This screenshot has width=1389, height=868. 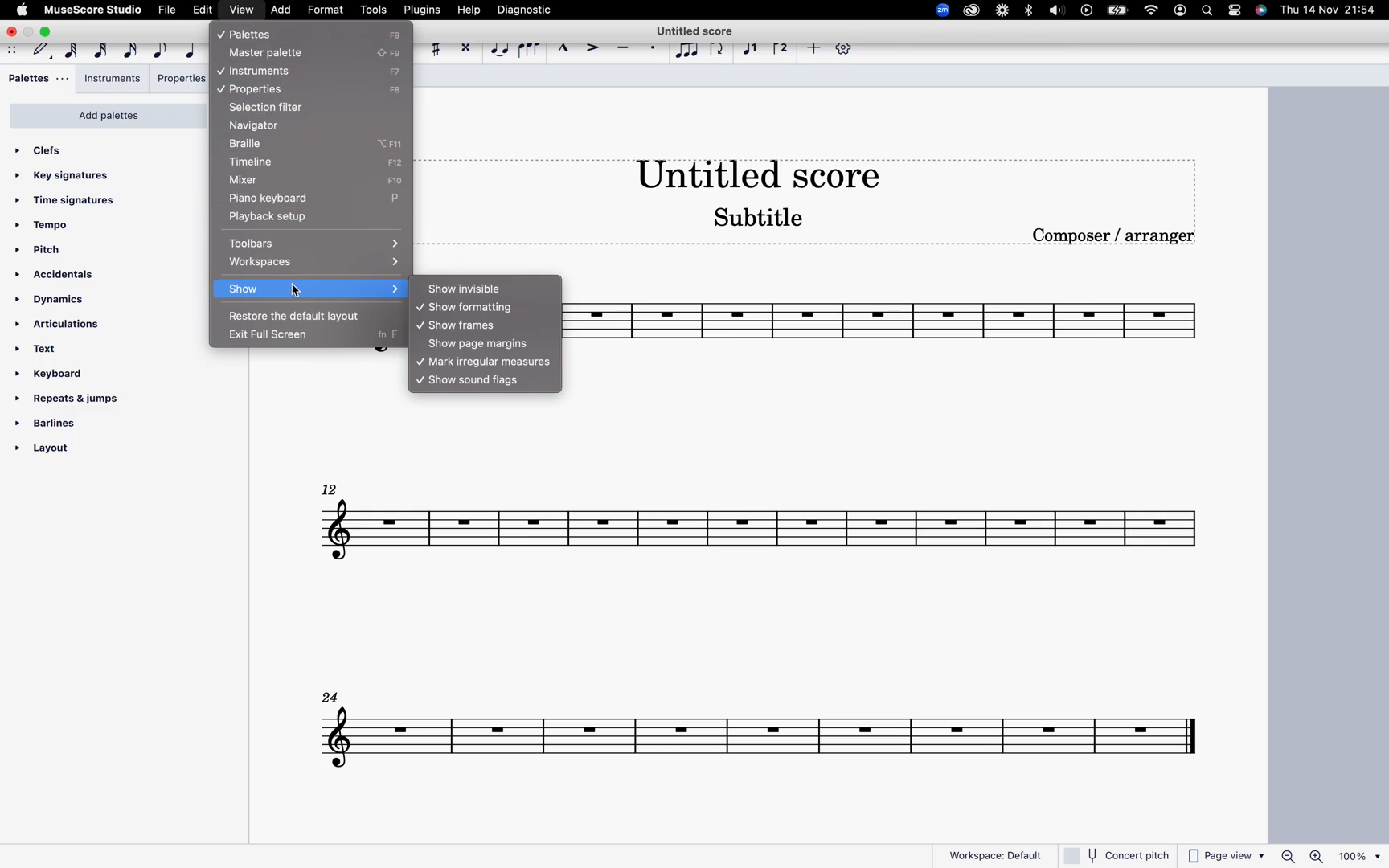 I want to click on page view, so click(x=1223, y=856).